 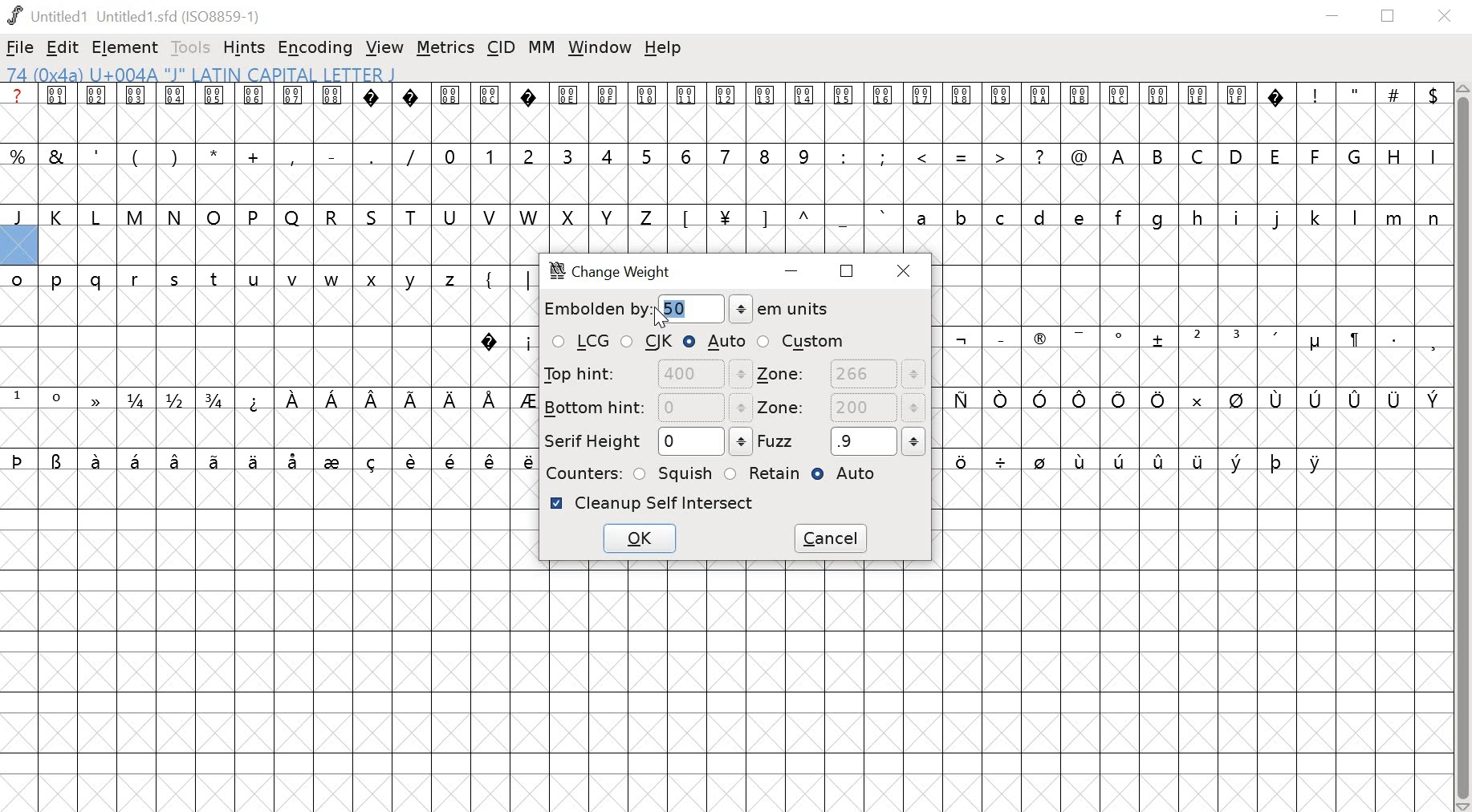 What do you see at coordinates (850, 476) in the screenshot?
I see `AUTO` at bounding box center [850, 476].